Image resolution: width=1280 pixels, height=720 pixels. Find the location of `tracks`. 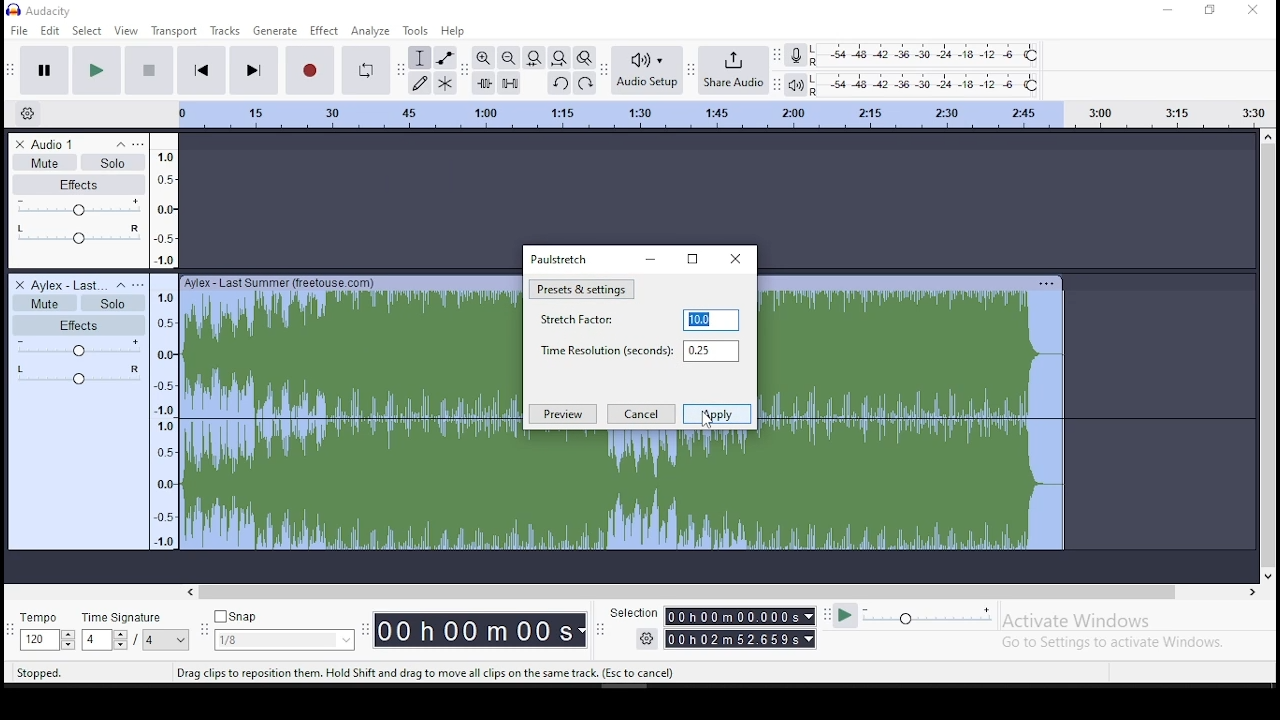

tracks is located at coordinates (225, 30).